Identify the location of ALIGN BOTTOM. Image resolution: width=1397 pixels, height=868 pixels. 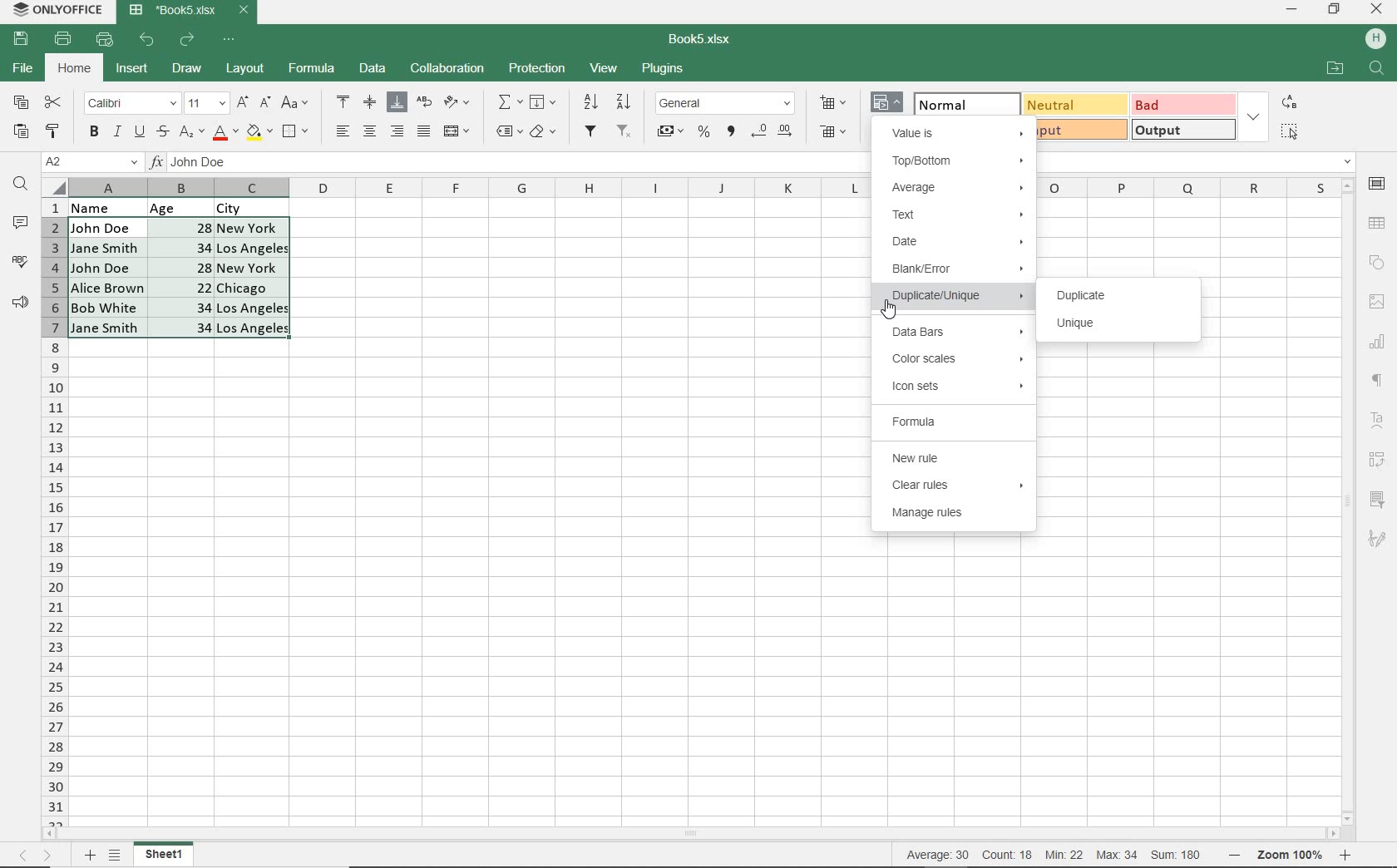
(397, 102).